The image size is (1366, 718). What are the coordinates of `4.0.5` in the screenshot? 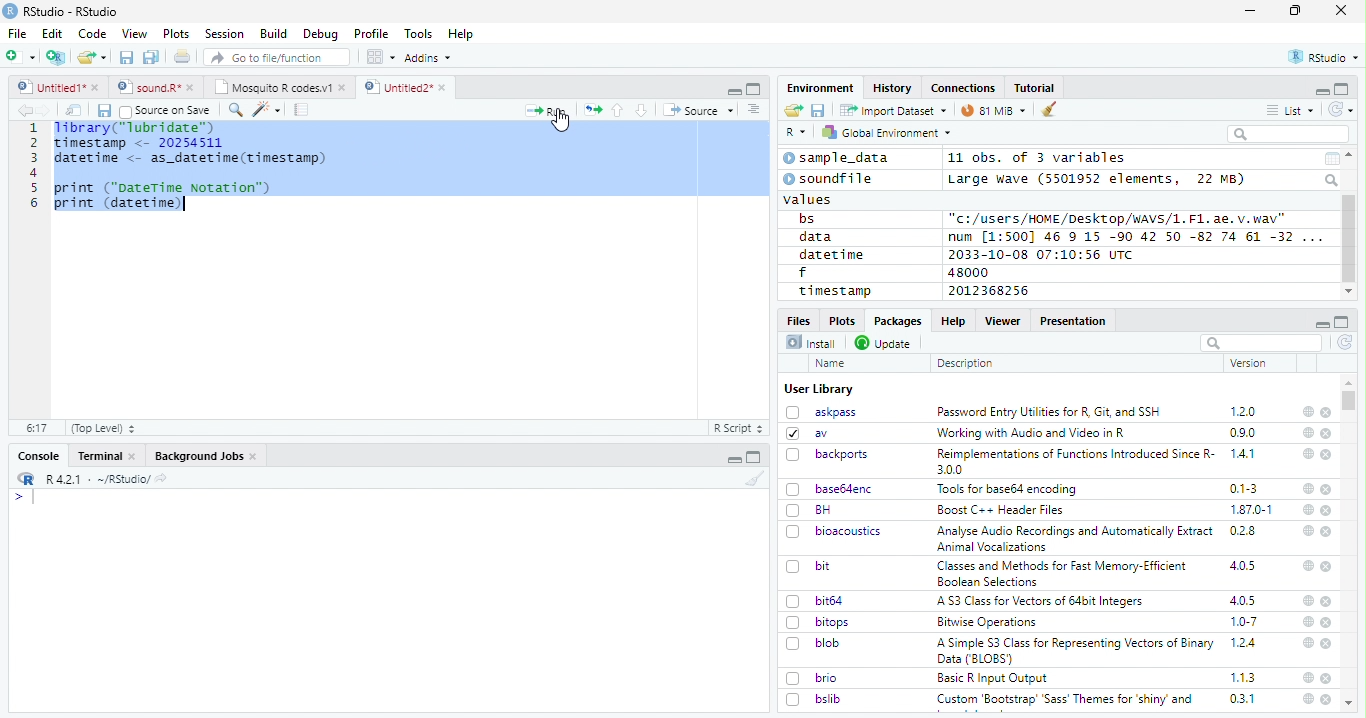 It's located at (1243, 600).